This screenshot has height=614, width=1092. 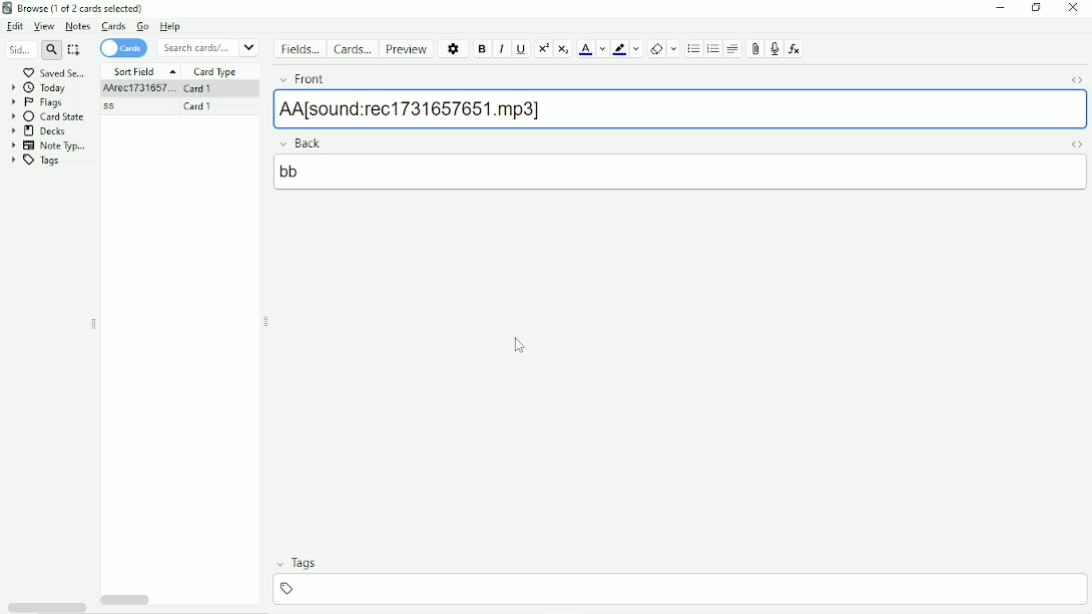 I want to click on Cards, so click(x=115, y=26).